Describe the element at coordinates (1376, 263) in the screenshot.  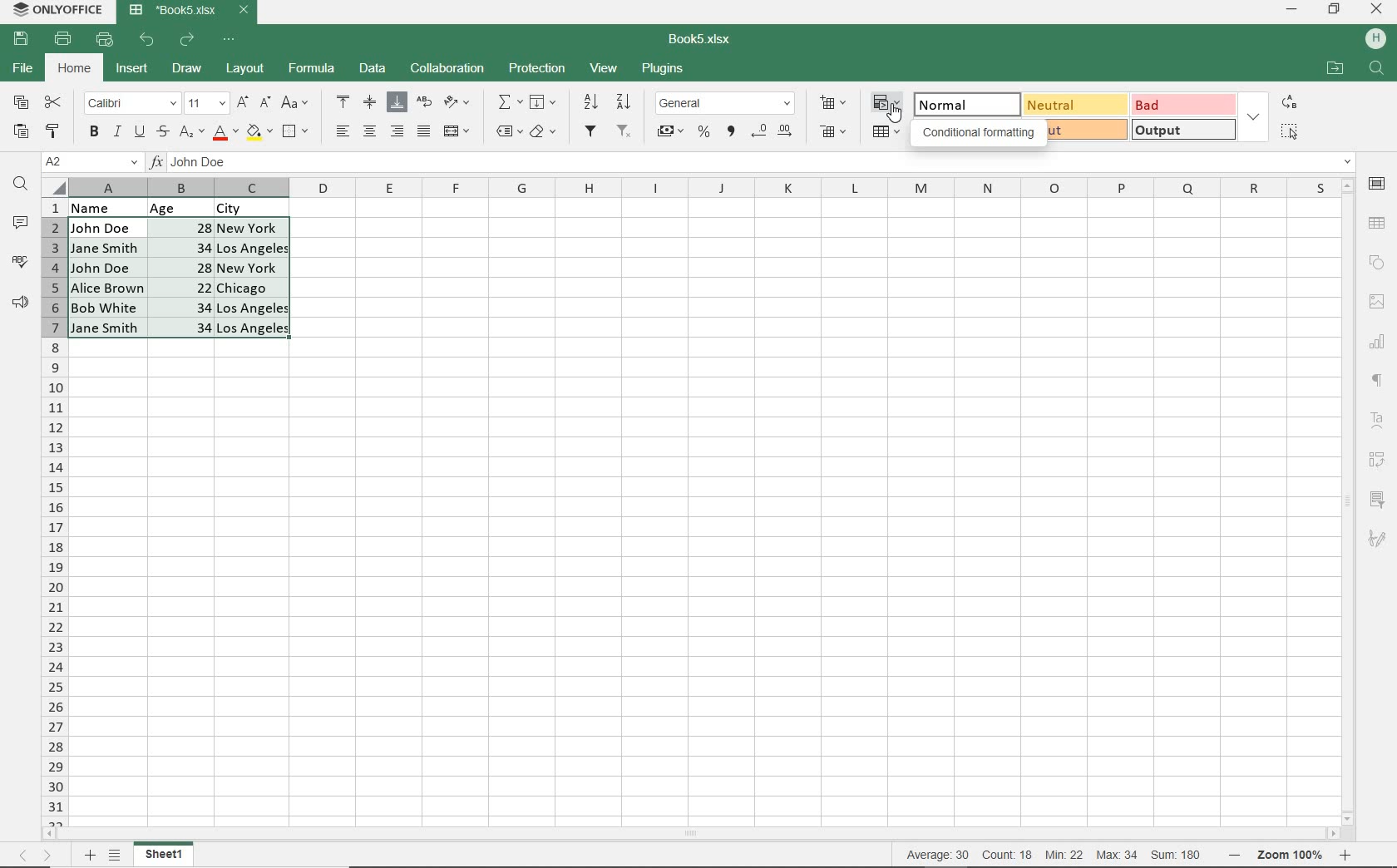
I see `SHAPE` at that location.